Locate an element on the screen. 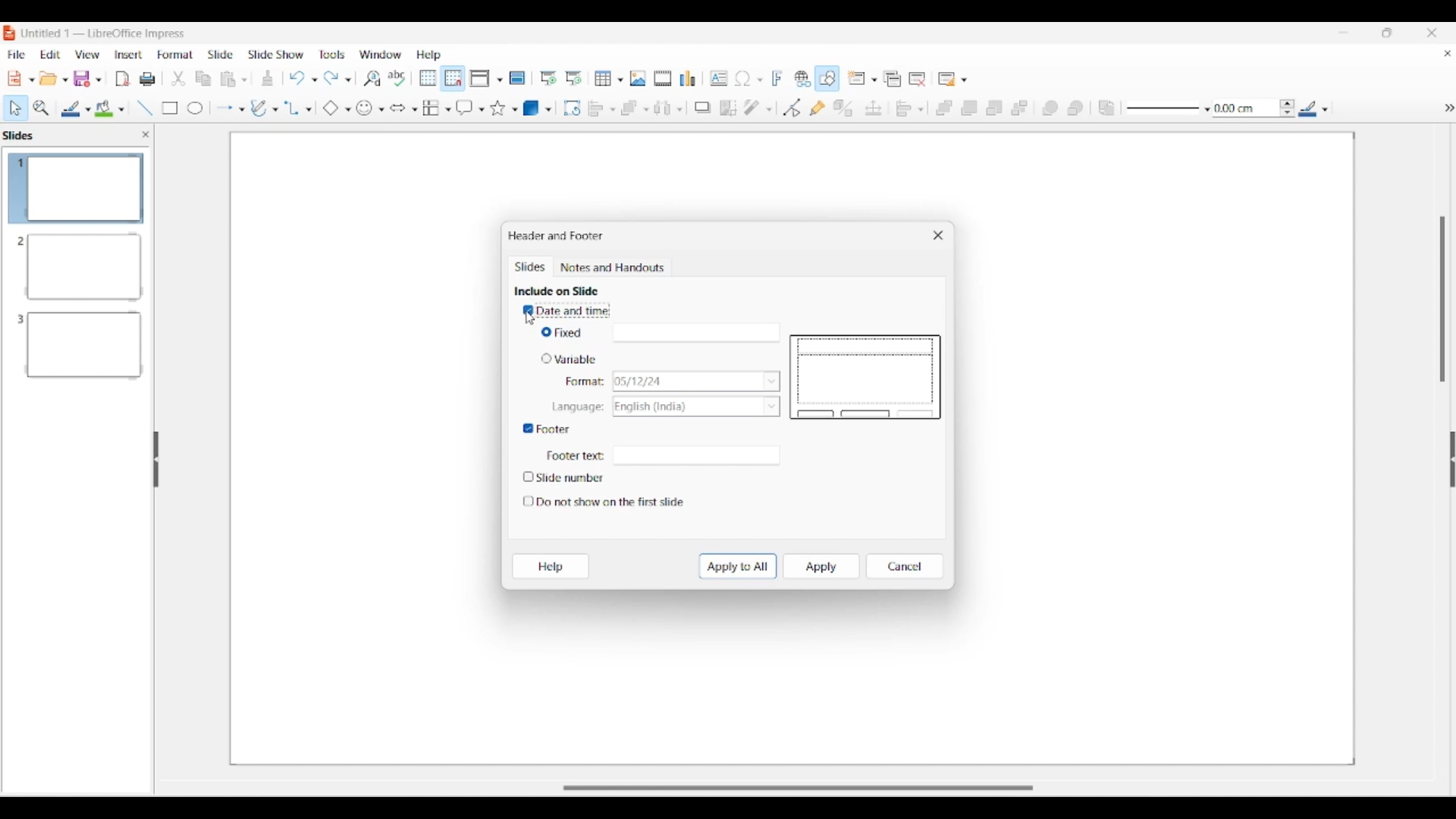  View menu is located at coordinates (88, 55).